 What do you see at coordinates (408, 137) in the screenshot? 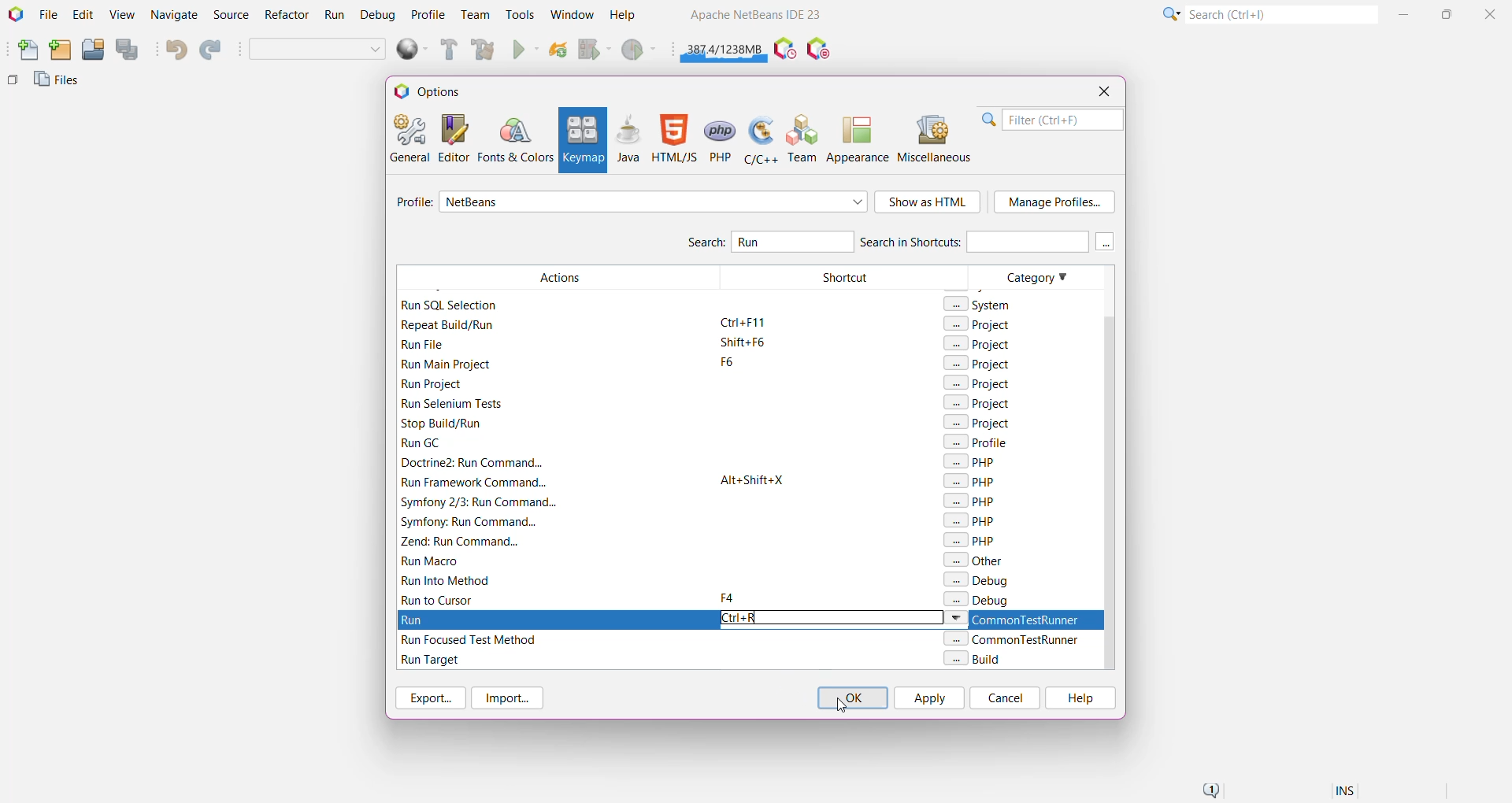
I see `General` at bounding box center [408, 137].